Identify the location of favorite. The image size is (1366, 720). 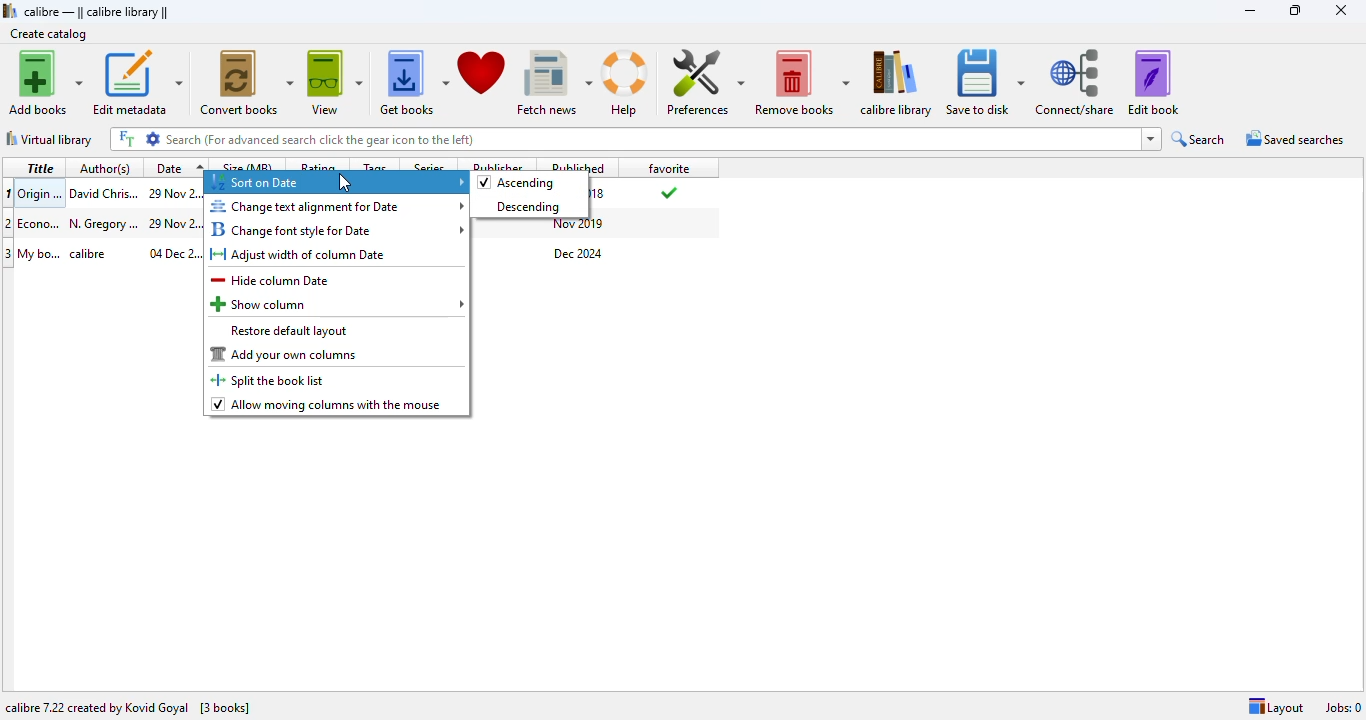
(668, 167).